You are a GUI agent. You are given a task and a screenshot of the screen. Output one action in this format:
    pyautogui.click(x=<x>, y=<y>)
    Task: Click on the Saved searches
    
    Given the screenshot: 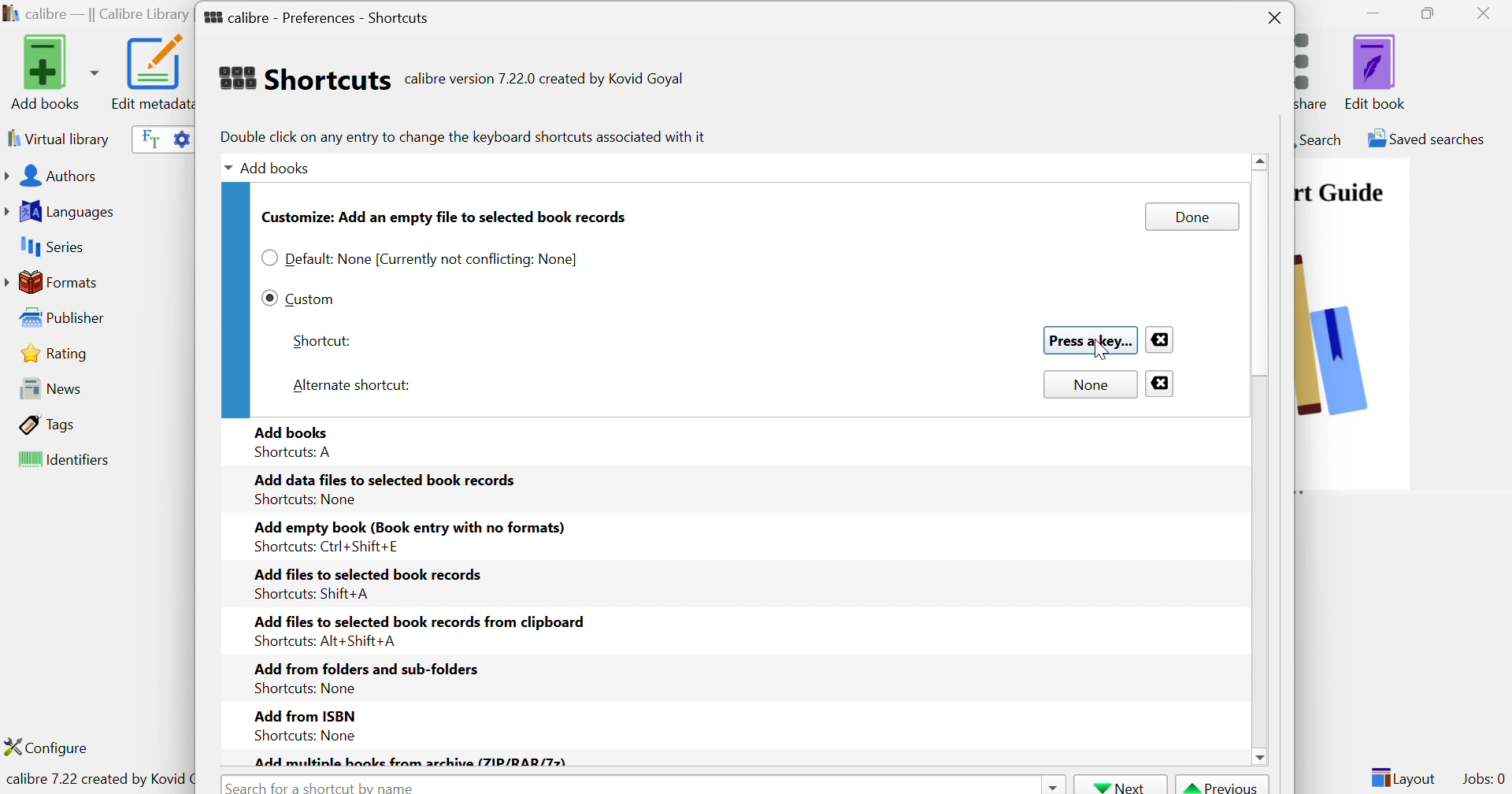 What is the action you would take?
    pyautogui.click(x=1425, y=139)
    